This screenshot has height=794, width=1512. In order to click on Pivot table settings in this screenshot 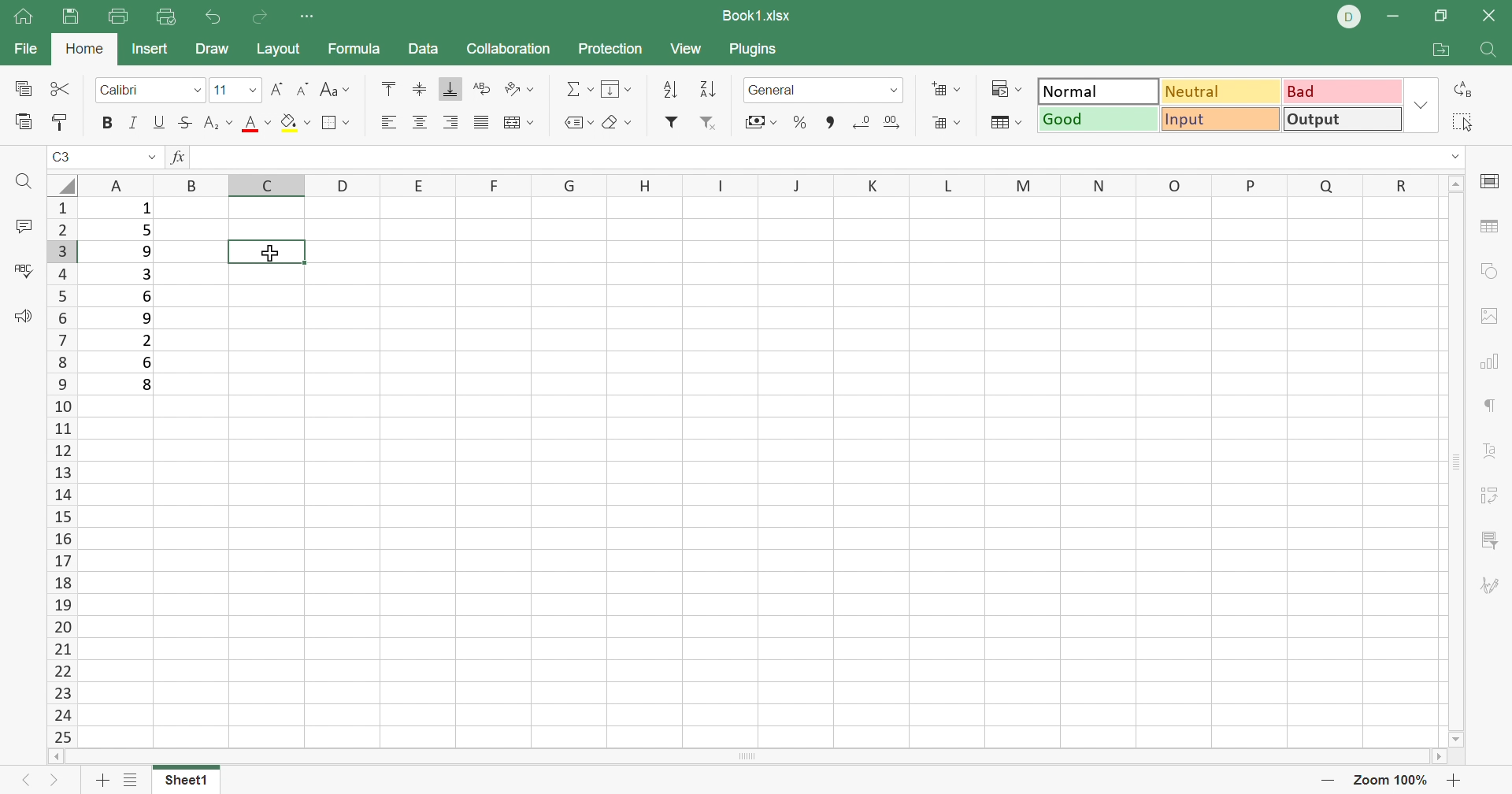, I will do `click(1492, 497)`.